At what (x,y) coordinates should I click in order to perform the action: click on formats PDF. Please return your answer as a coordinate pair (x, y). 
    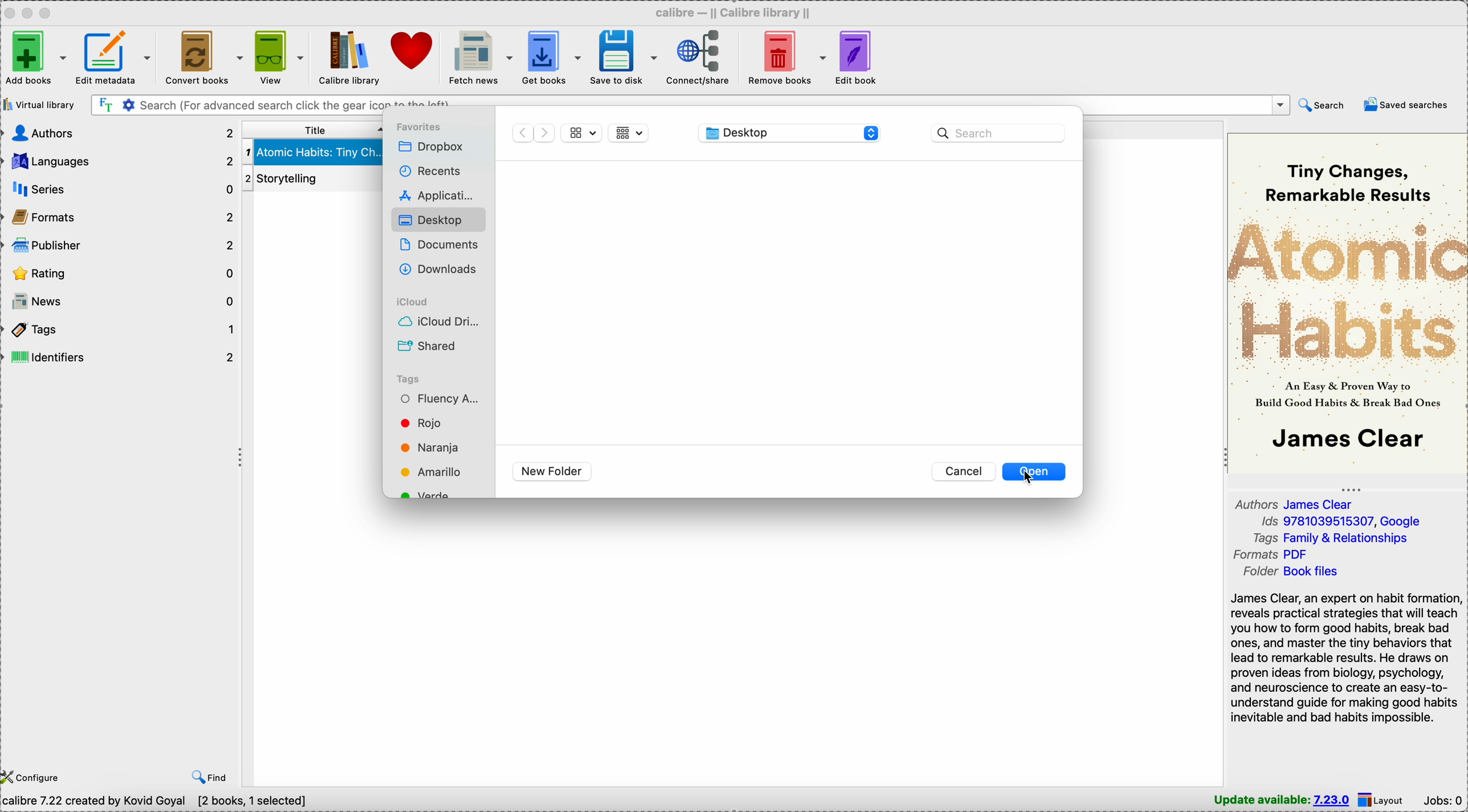
    Looking at the image, I should click on (1270, 554).